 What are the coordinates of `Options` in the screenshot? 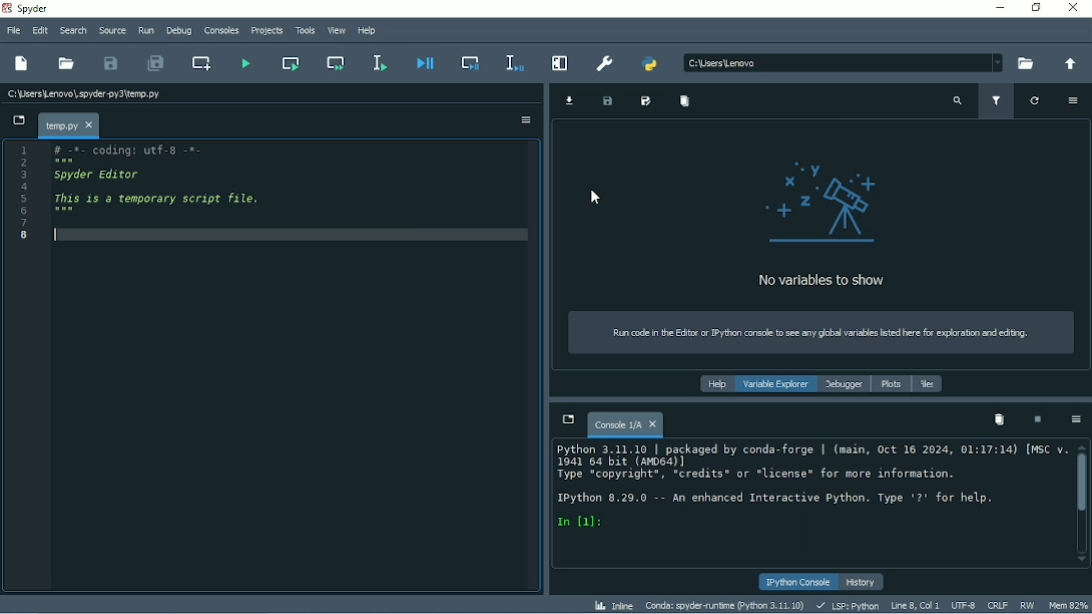 It's located at (526, 120).